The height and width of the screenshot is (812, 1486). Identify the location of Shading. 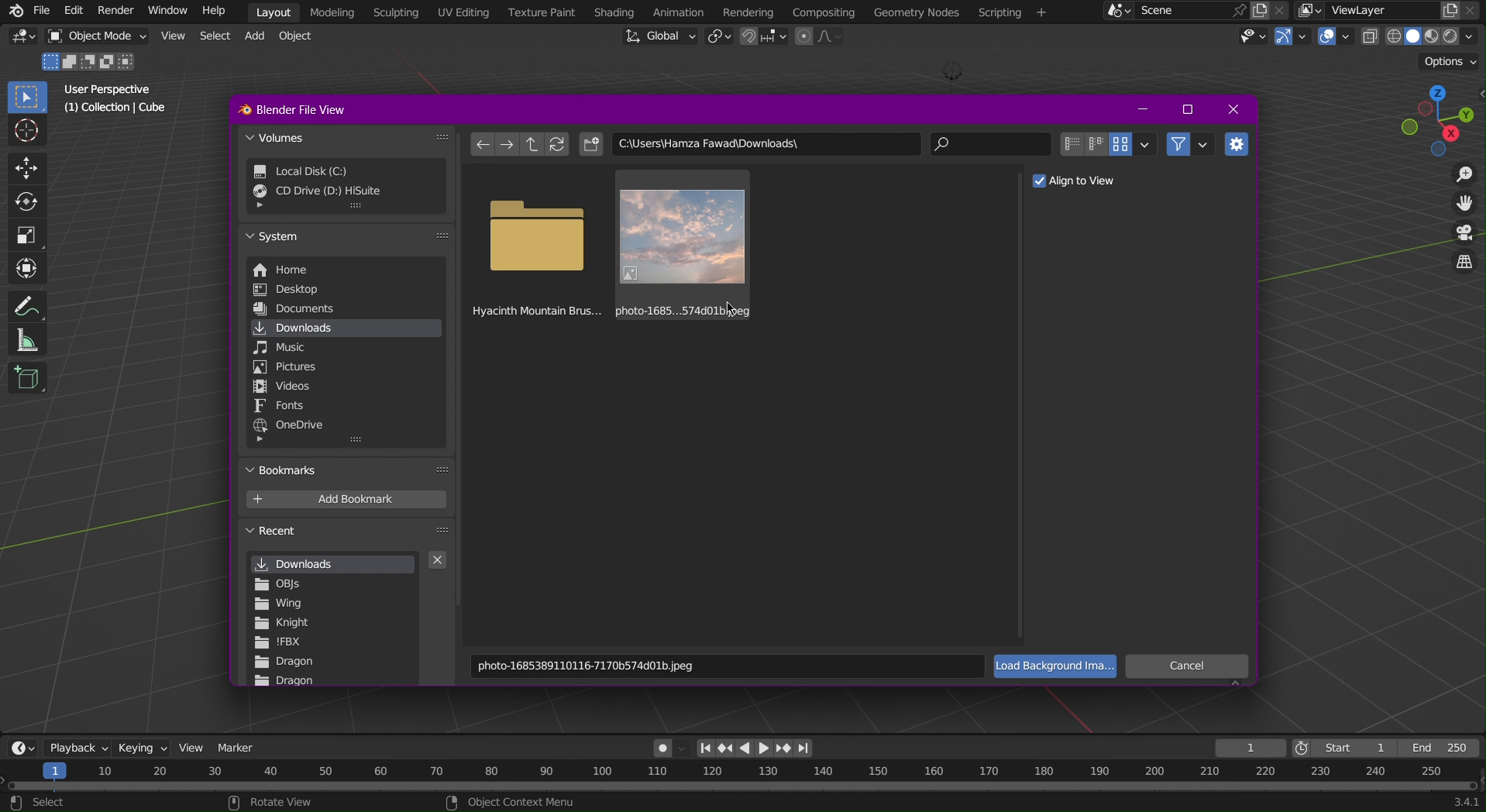
(611, 12).